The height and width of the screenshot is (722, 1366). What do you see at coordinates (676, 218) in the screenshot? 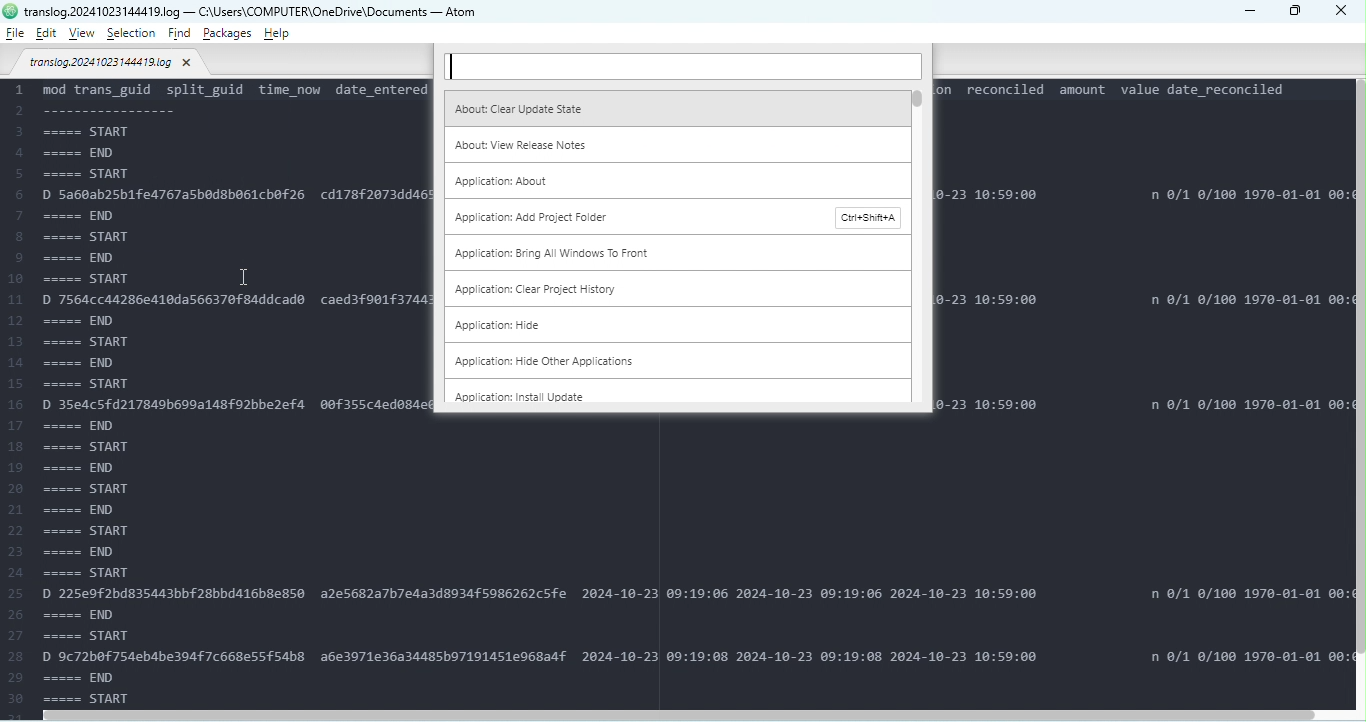
I see `Application: Add project folder` at bounding box center [676, 218].